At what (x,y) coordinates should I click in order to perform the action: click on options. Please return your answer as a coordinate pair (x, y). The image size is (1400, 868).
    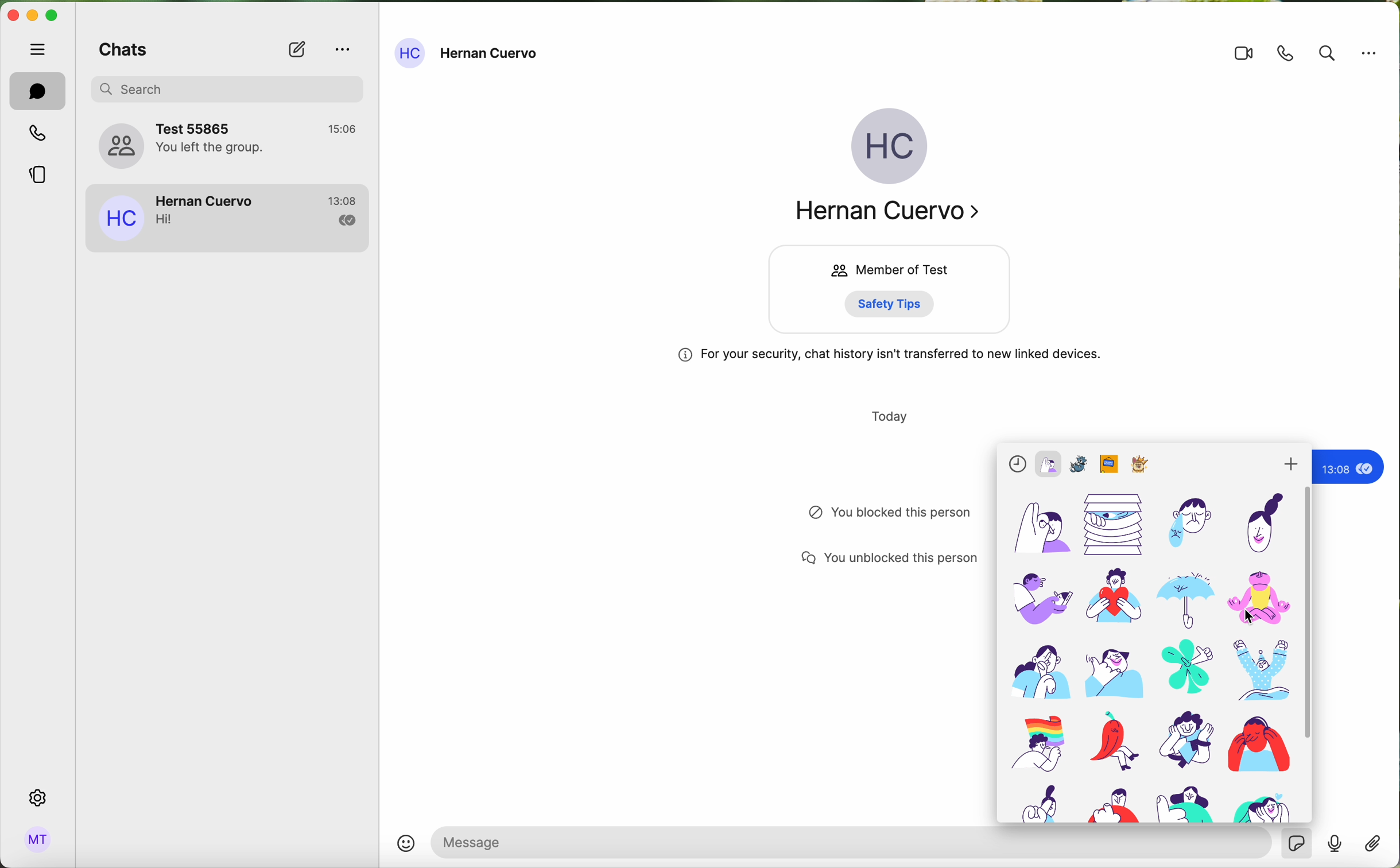
    Looking at the image, I should click on (1370, 53).